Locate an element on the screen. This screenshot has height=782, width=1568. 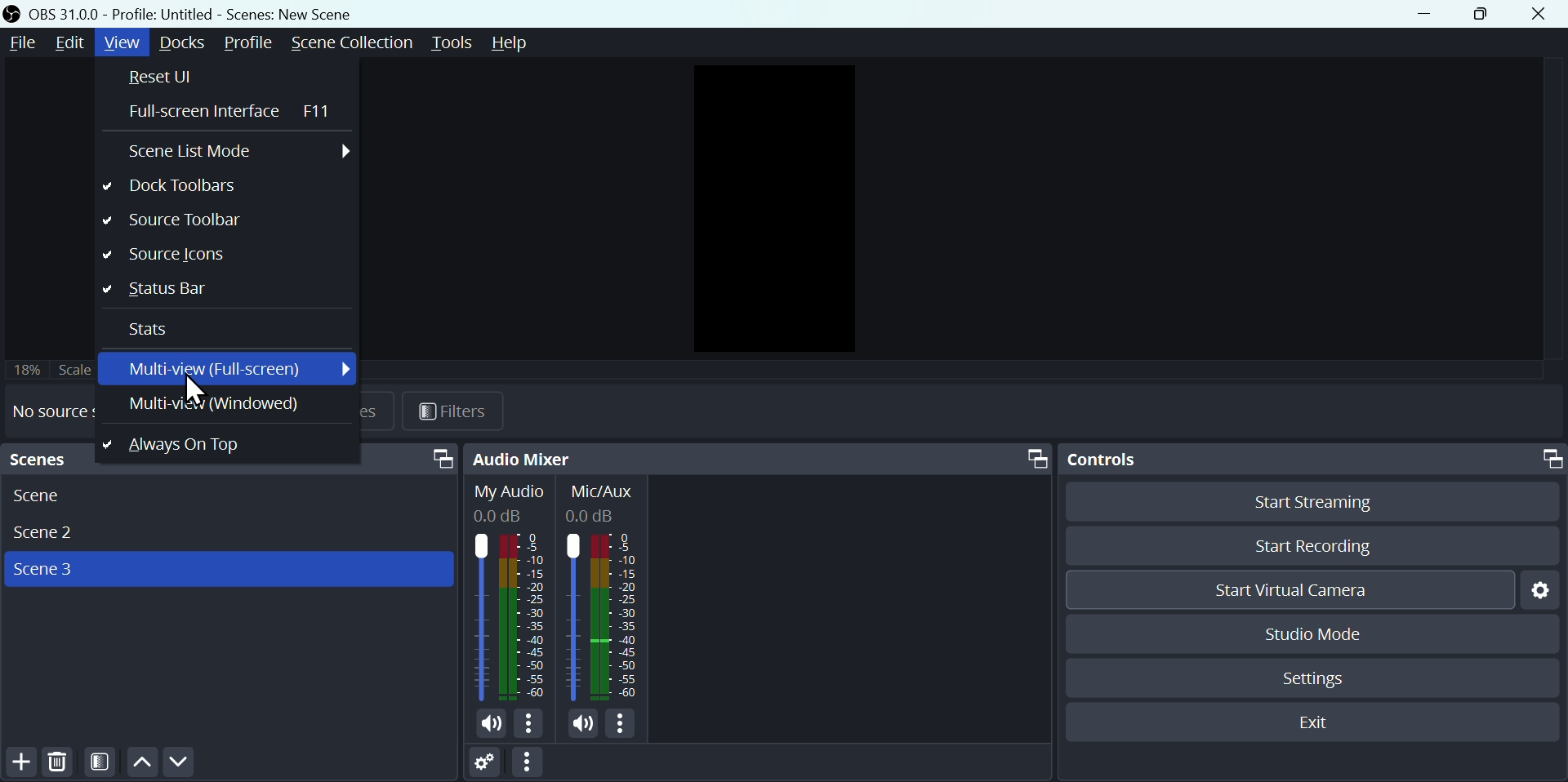
Studio mode is located at coordinates (1307, 634).